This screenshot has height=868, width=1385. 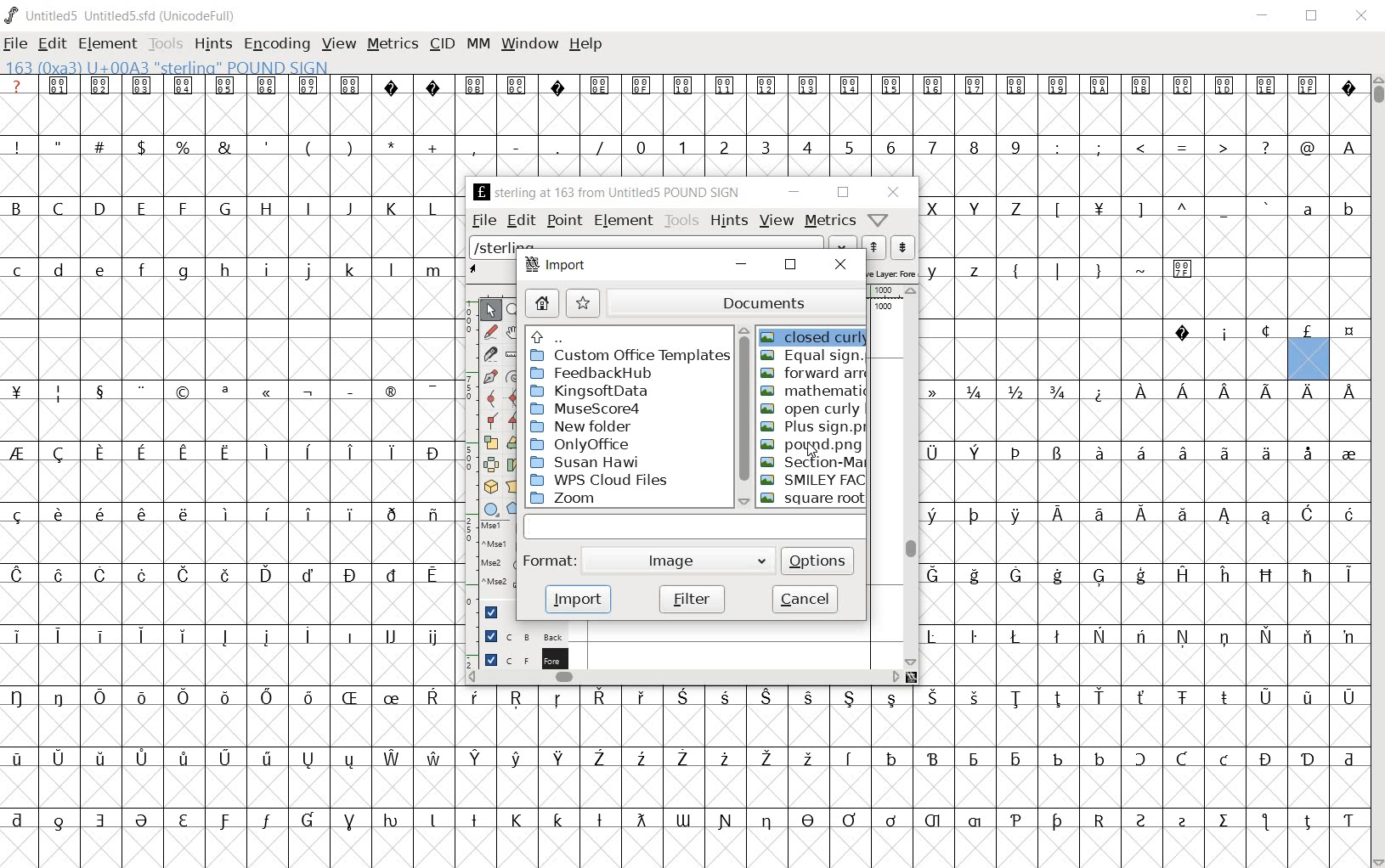 What do you see at coordinates (19, 270) in the screenshot?
I see `c` at bounding box center [19, 270].